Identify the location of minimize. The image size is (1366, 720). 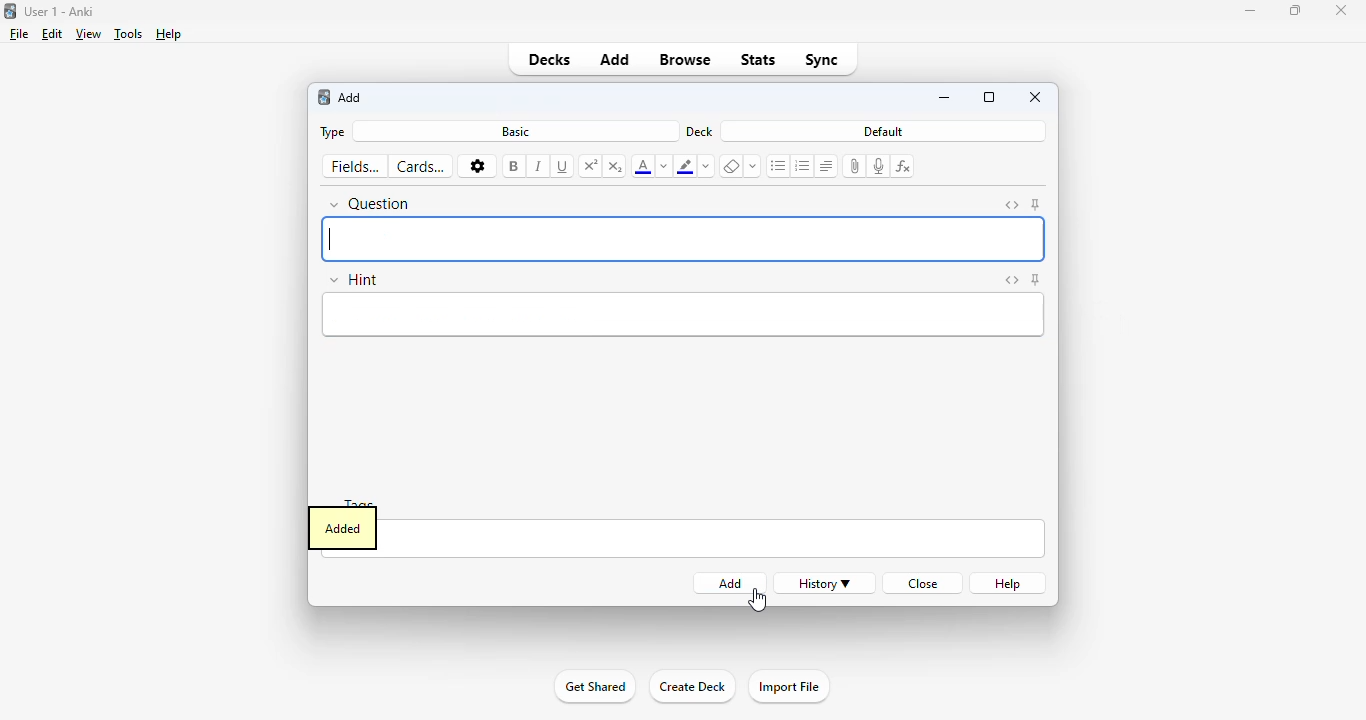
(947, 98).